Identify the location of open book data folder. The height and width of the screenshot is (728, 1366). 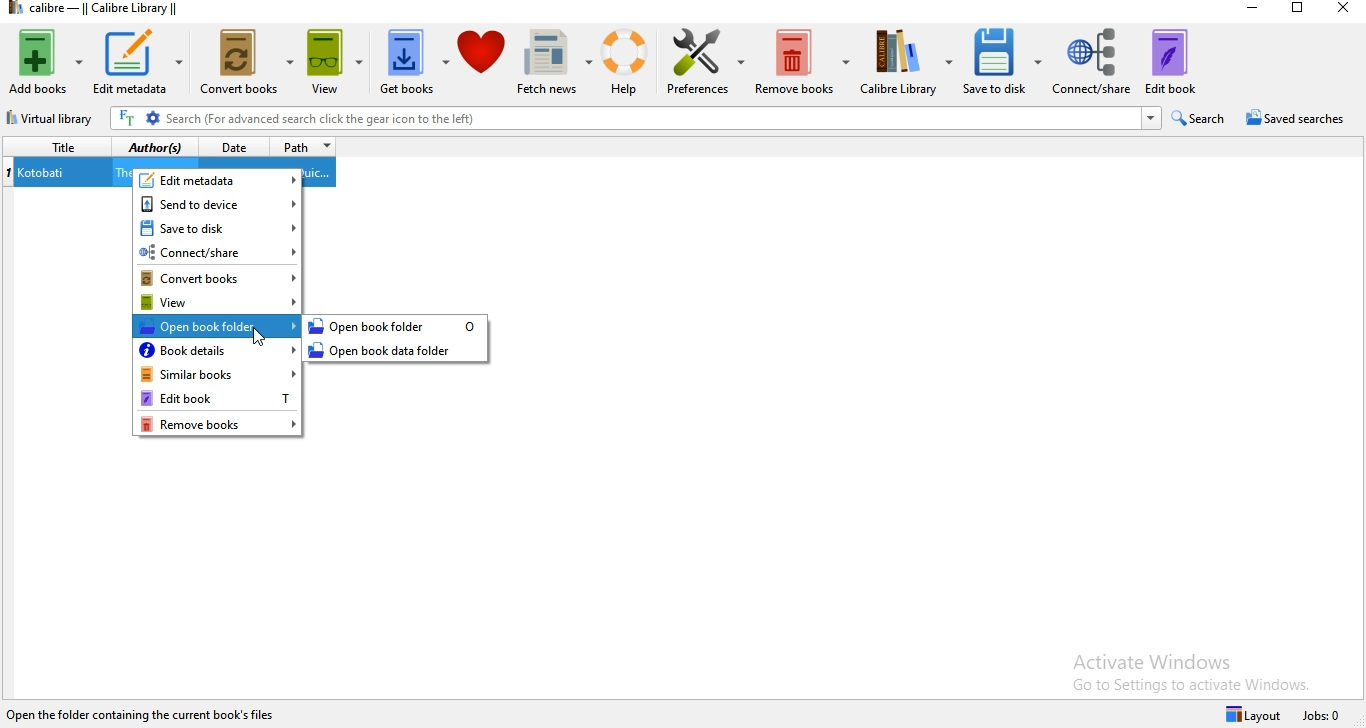
(400, 353).